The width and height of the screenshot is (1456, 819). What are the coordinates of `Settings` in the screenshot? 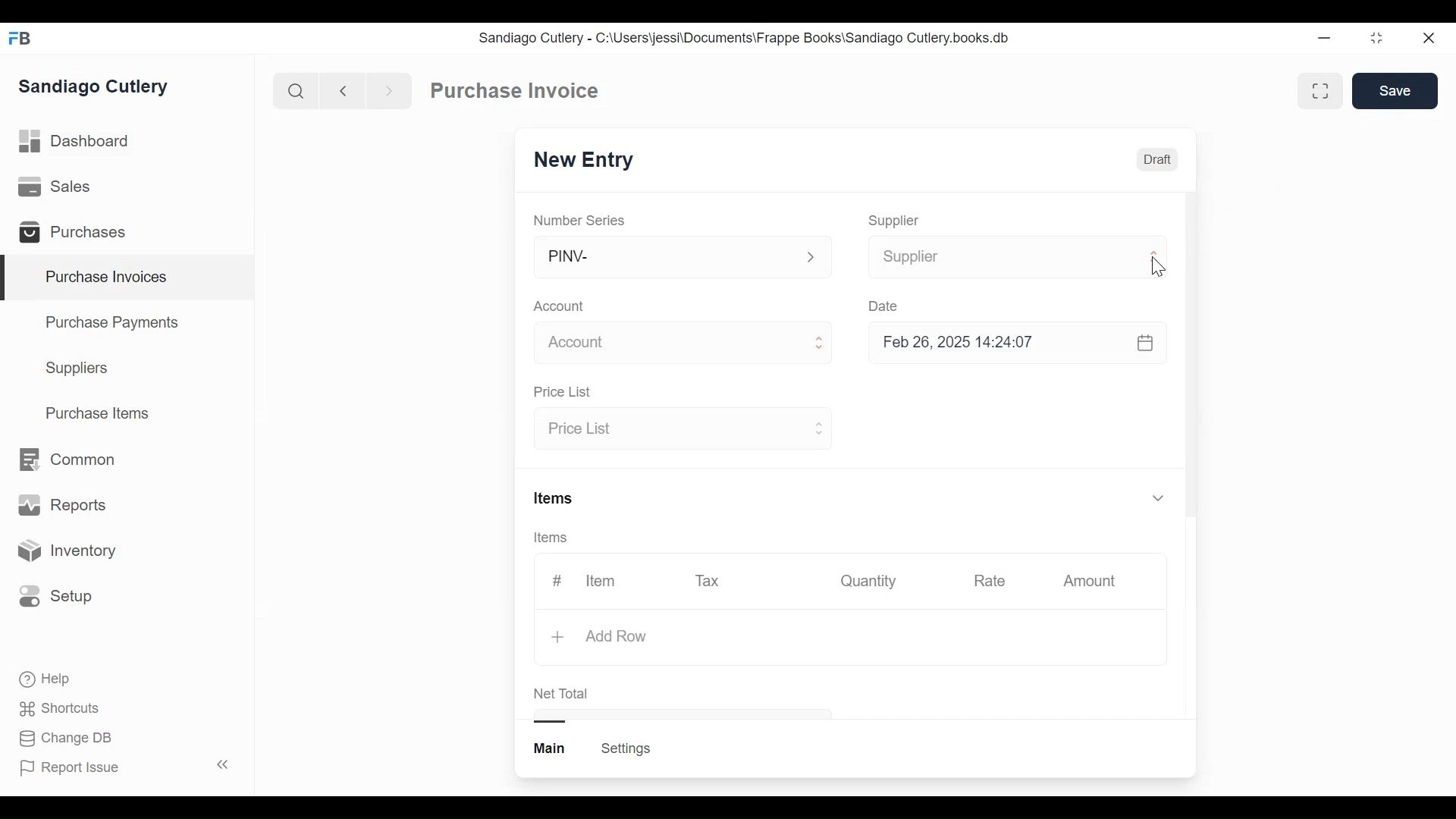 It's located at (625, 748).